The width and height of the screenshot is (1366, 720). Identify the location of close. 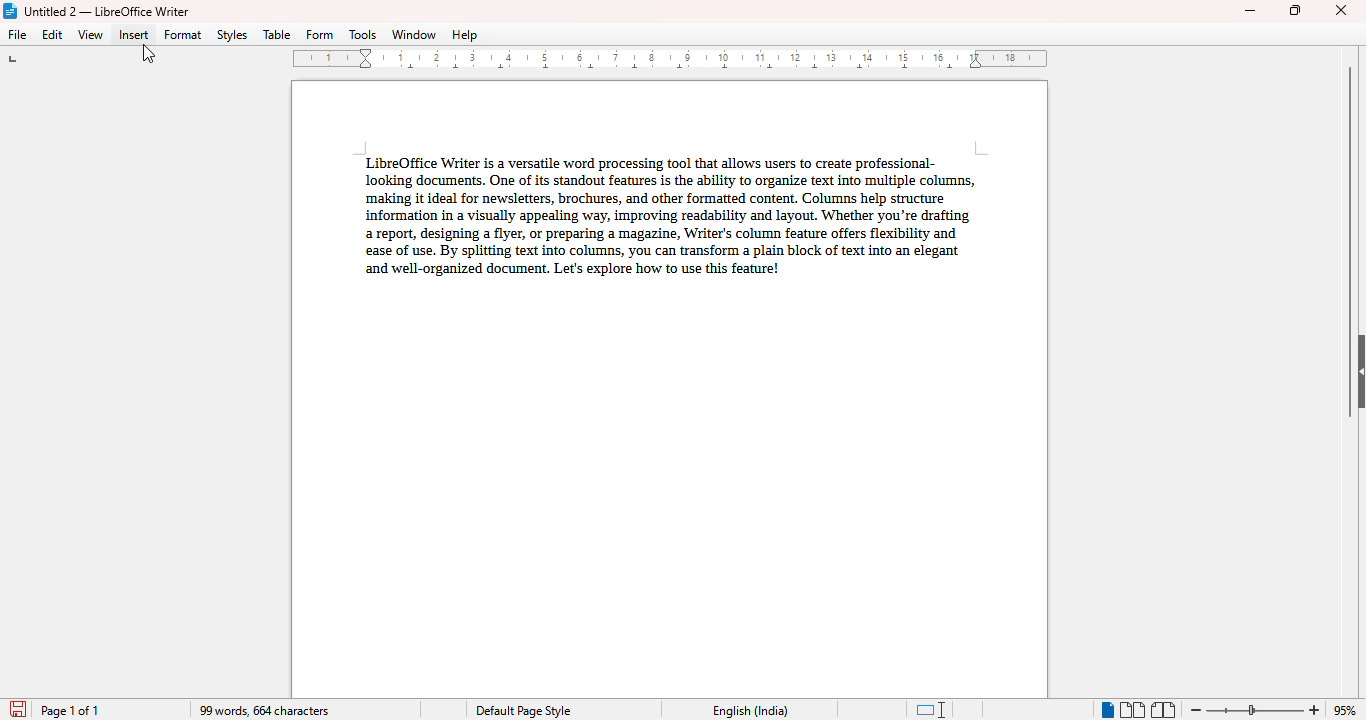
(1343, 9).